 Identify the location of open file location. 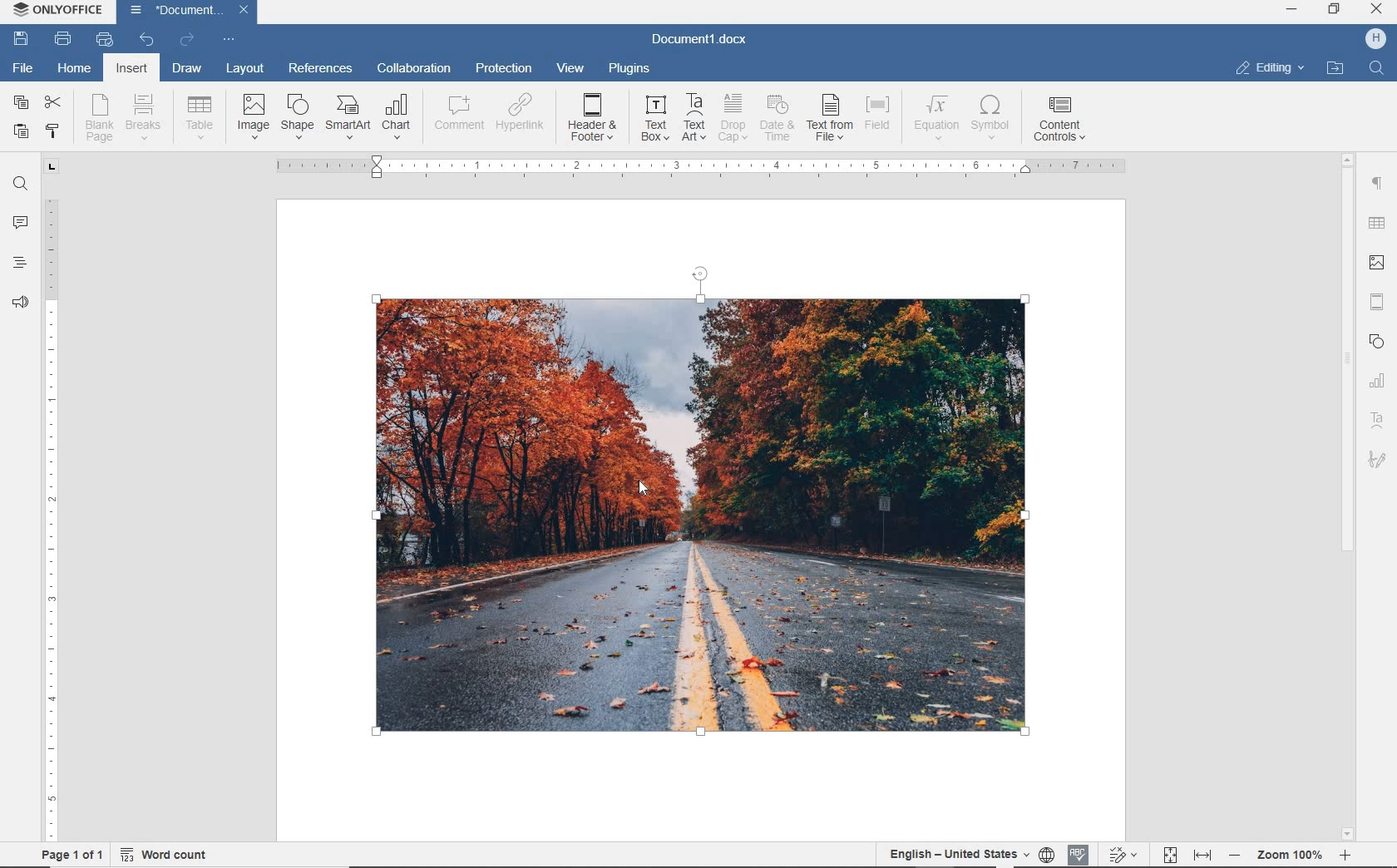
(1338, 70).